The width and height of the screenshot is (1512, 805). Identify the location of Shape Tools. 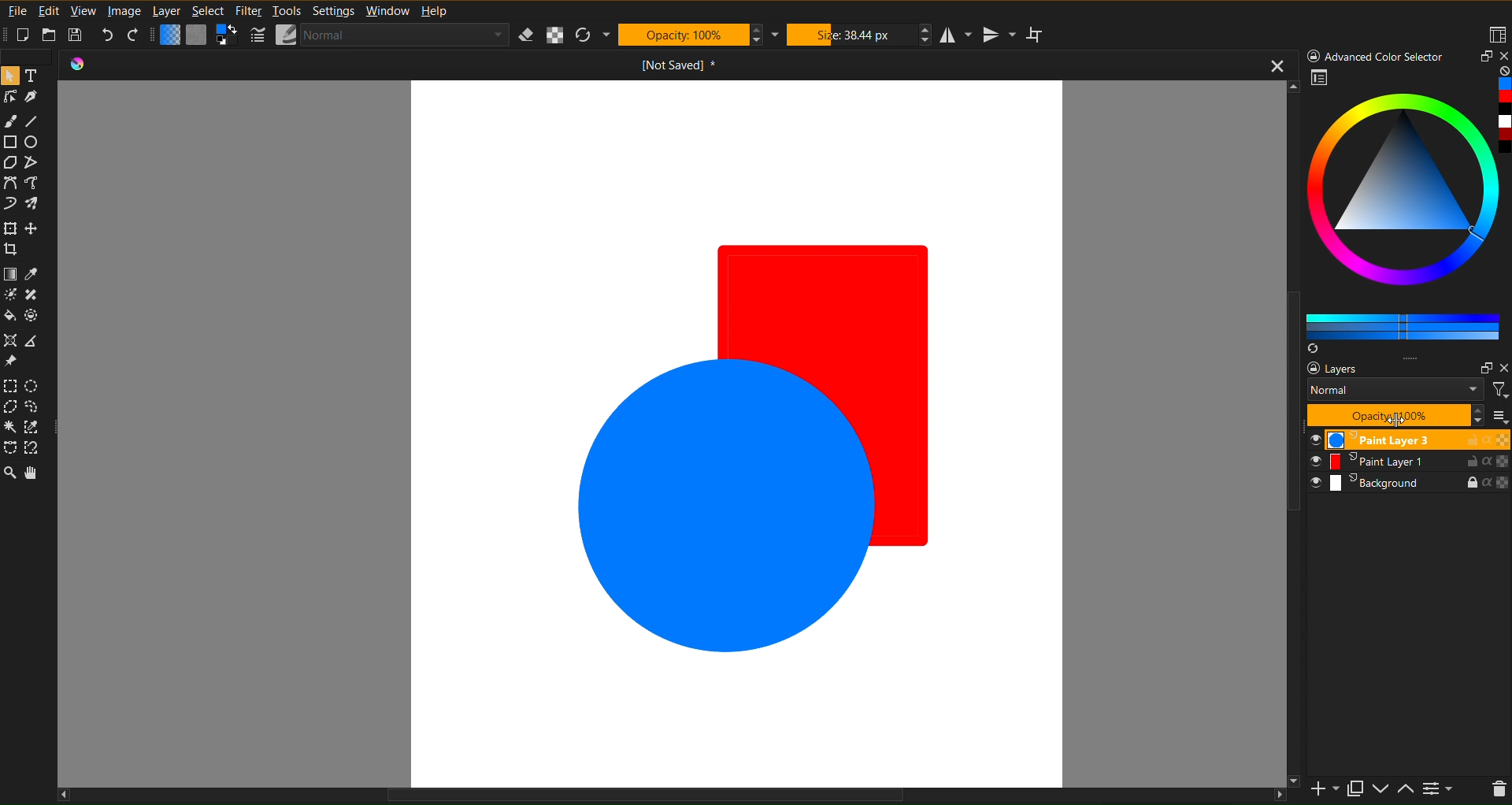
(13, 164).